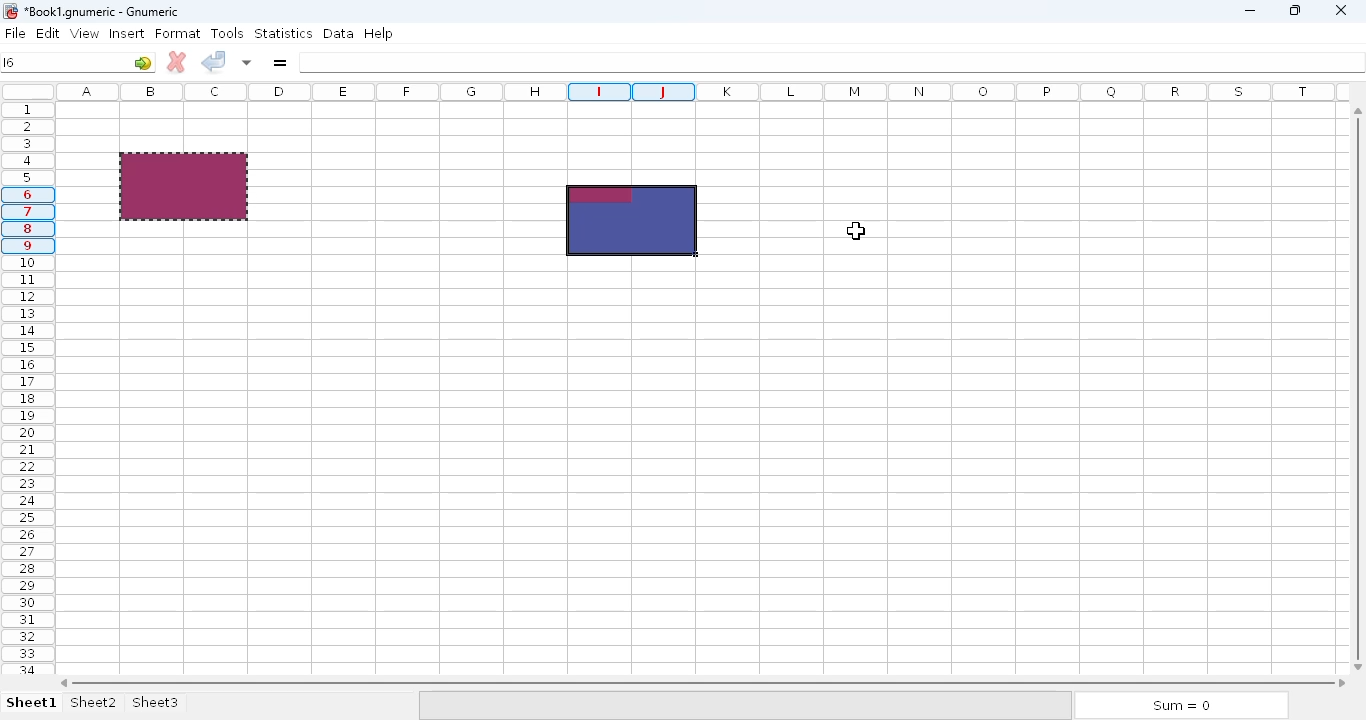 The image size is (1366, 720). Describe the element at coordinates (184, 186) in the screenshot. I see `copied range` at that location.